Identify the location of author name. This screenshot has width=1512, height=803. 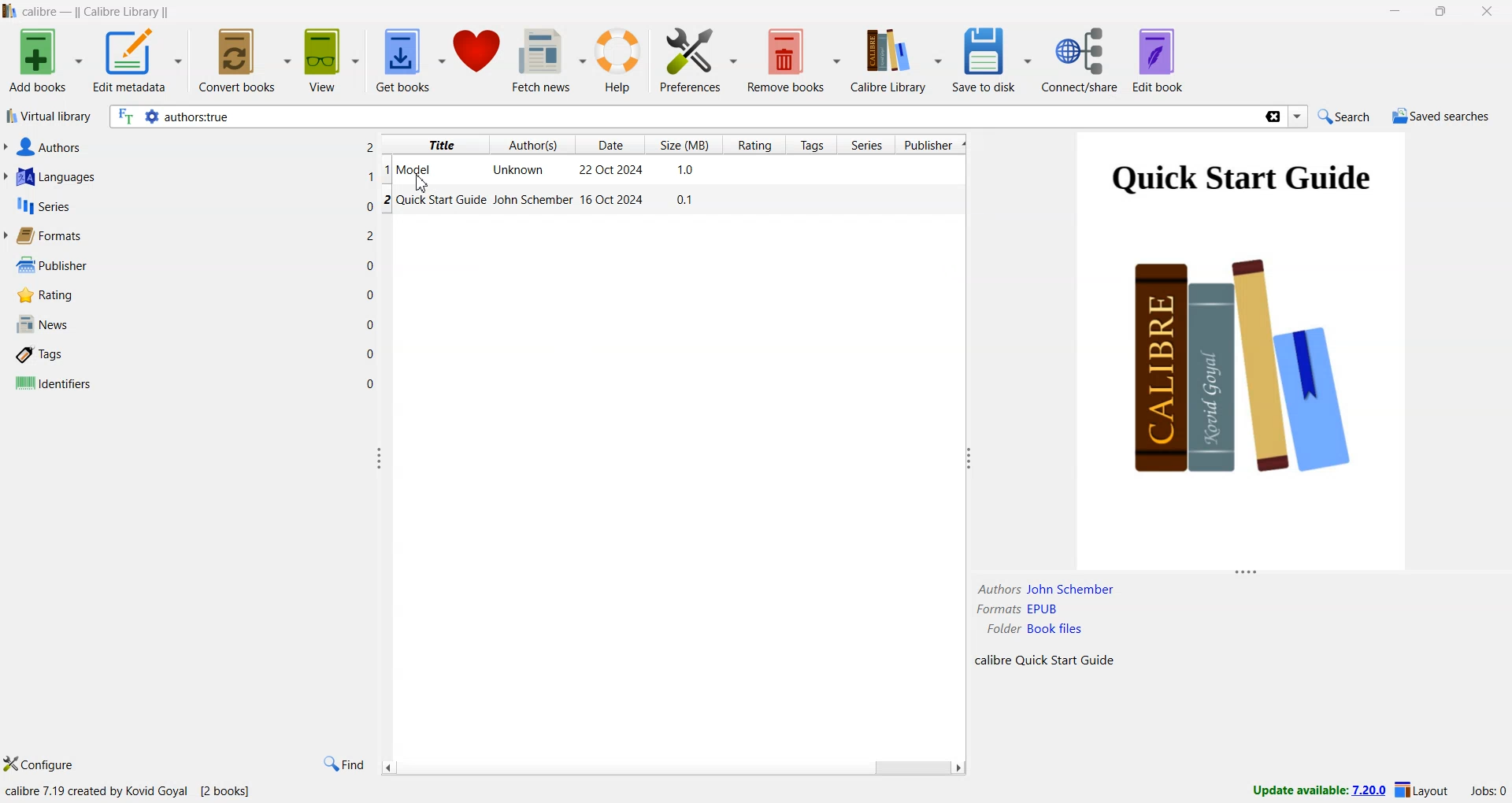
(1047, 590).